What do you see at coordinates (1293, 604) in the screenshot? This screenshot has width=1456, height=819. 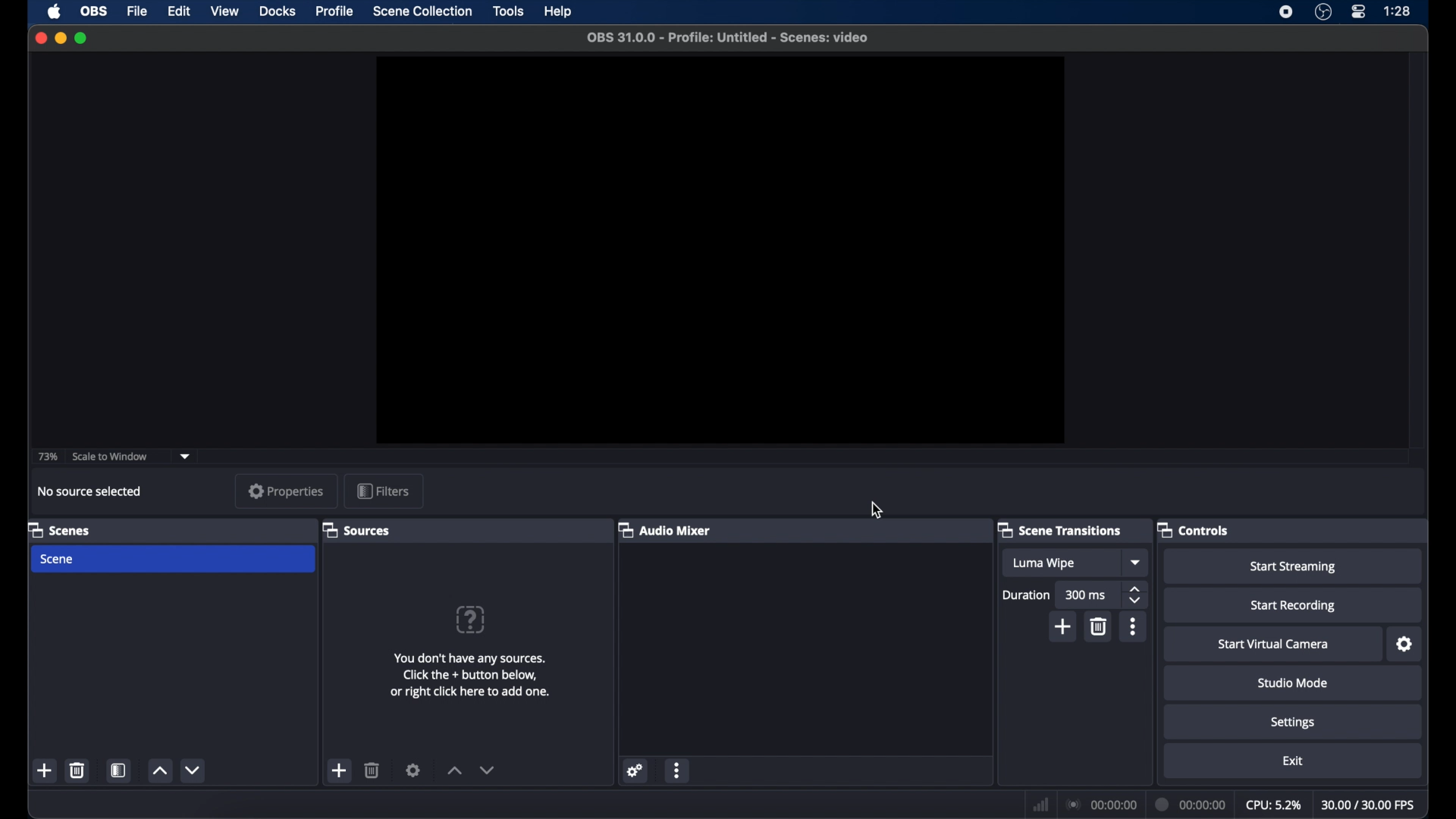 I see `start recording` at bounding box center [1293, 604].